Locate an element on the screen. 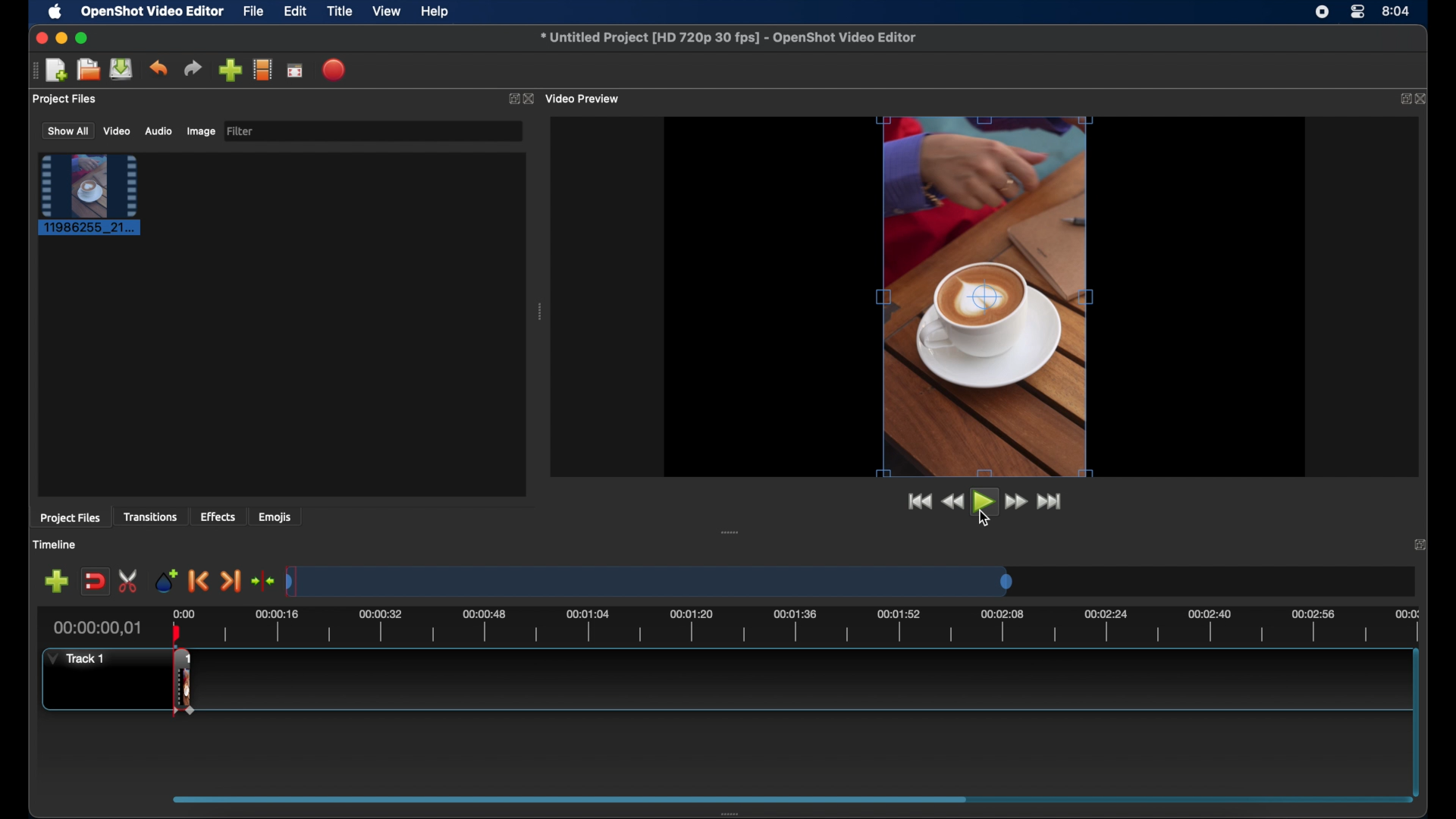 This screenshot has height=819, width=1456. drag handle is located at coordinates (32, 71).